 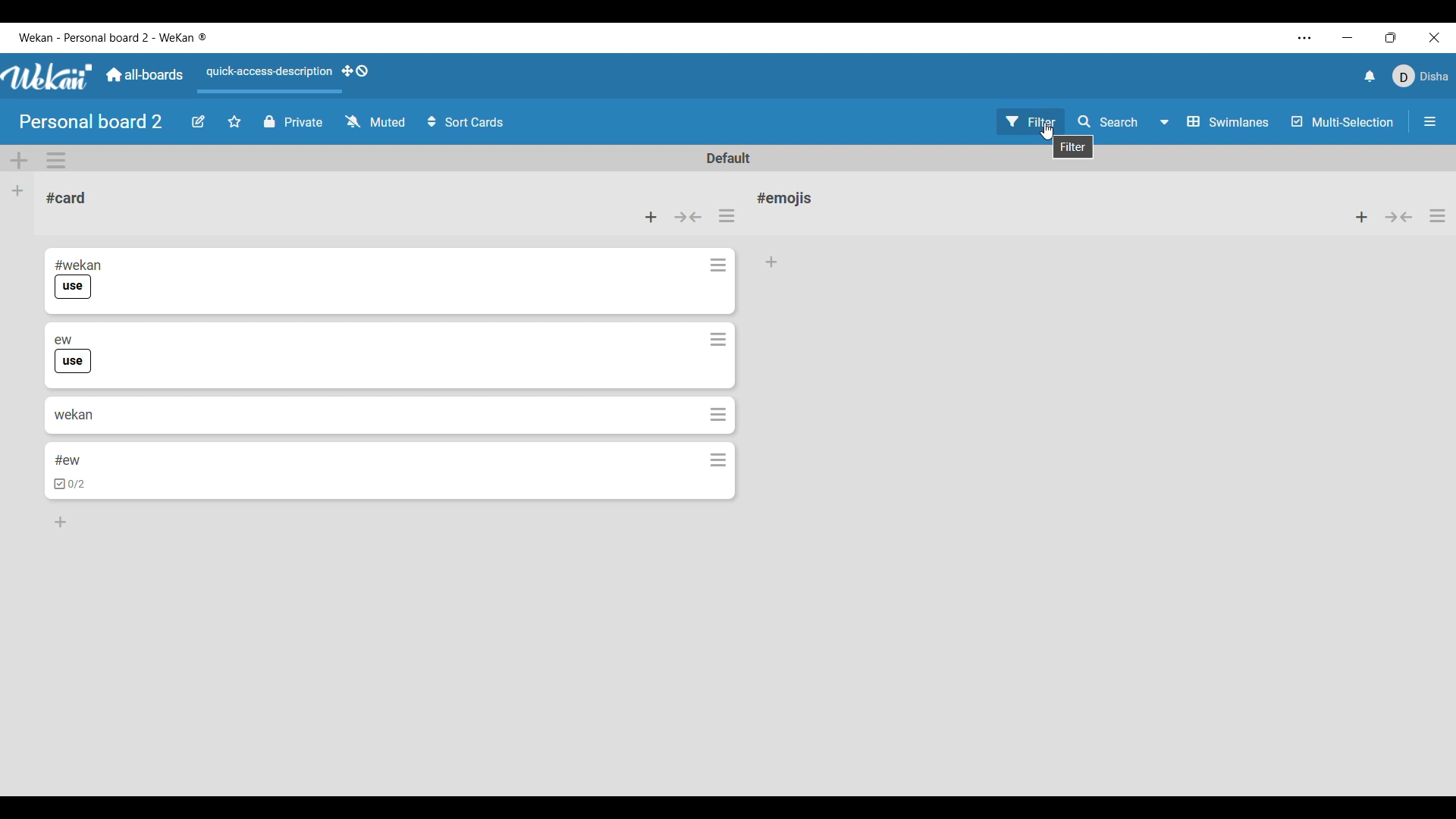 What do you see at coordinates (145, 74) in the screenshot?
I see `Go to common dashboard` at bounding box center [145, 74].